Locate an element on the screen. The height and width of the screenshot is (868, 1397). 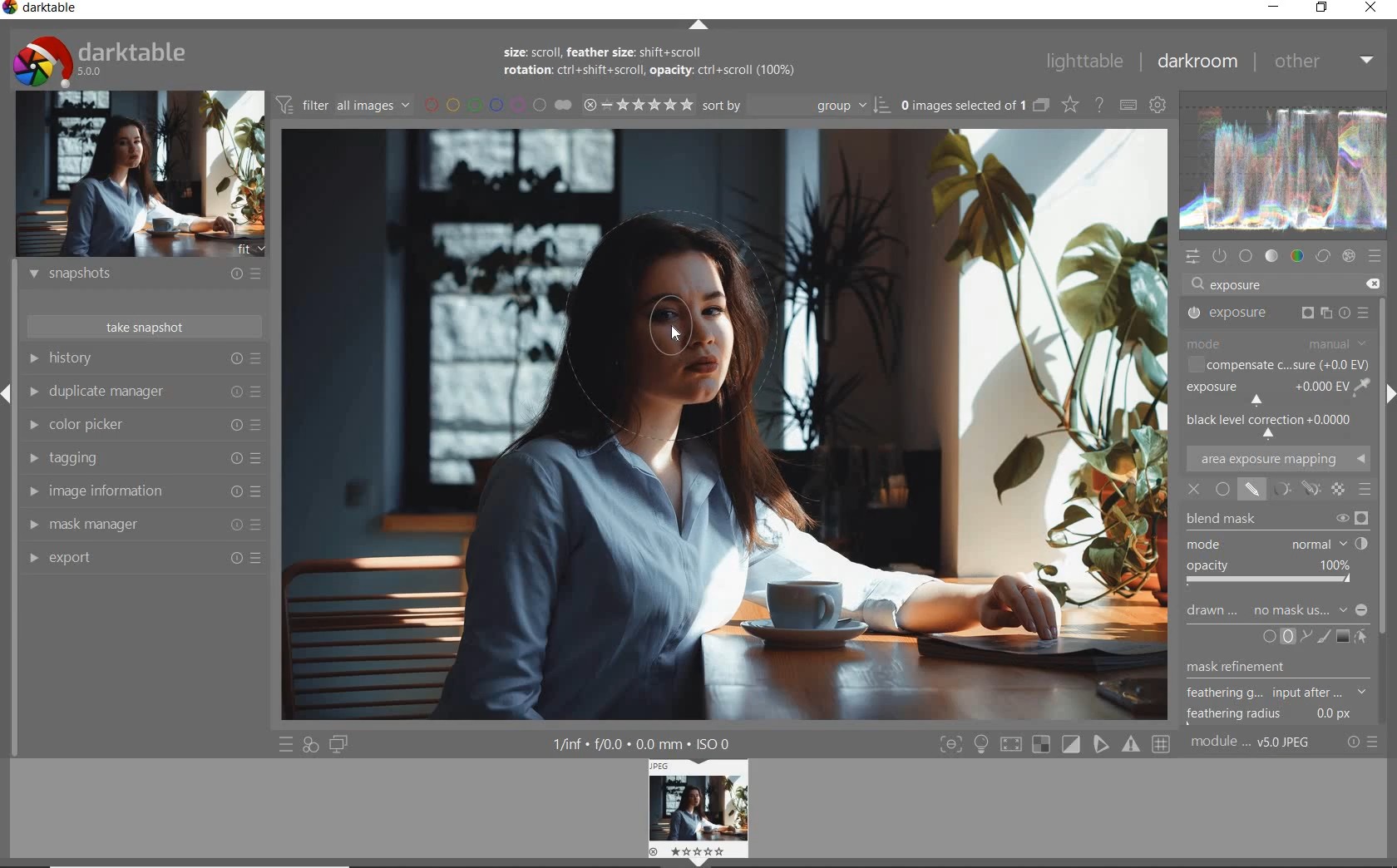
duplicate manager is located at coordinates (146, 392).